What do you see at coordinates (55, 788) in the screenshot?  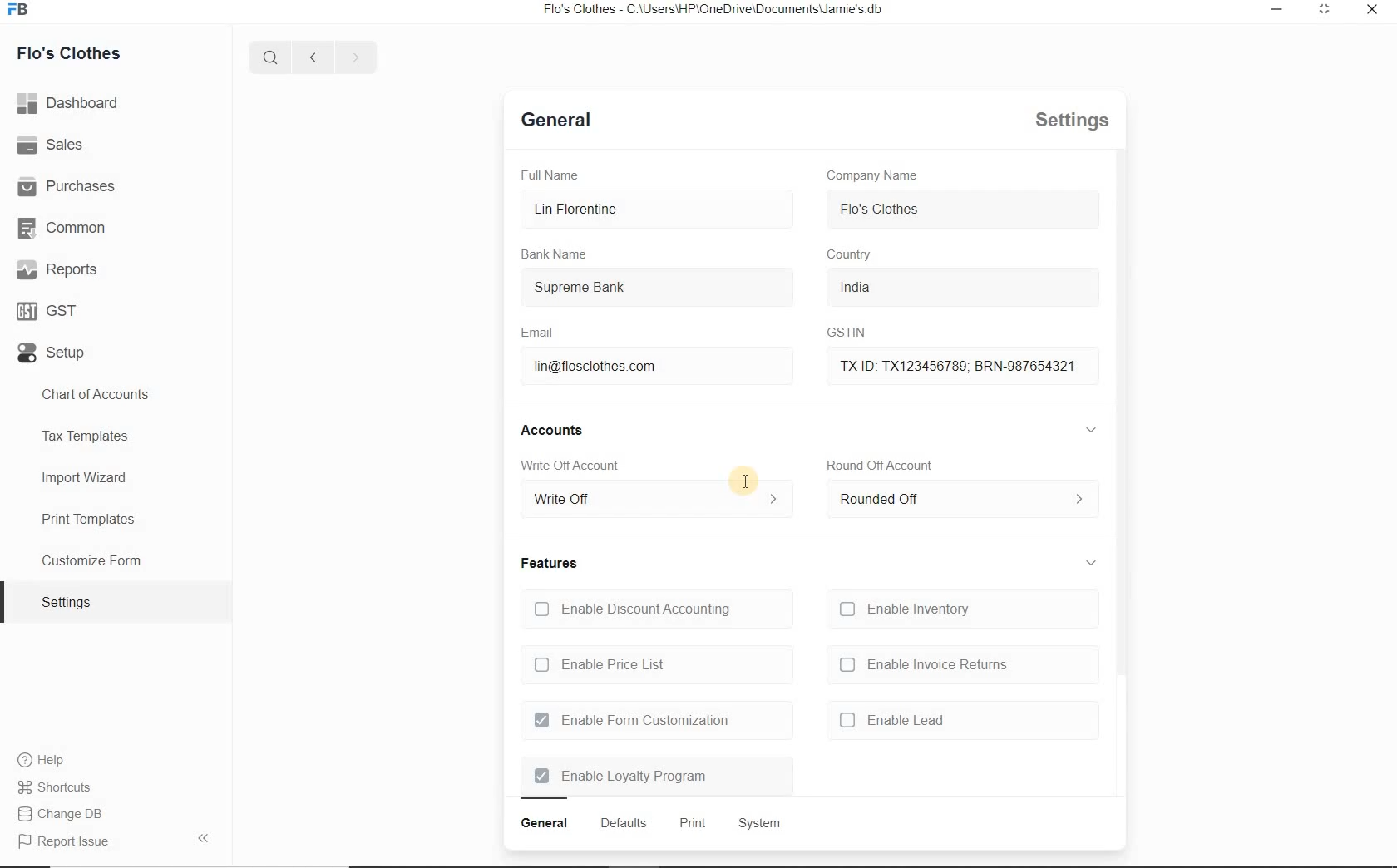 I see `Shortcuts` at bounding box center [55, 788].